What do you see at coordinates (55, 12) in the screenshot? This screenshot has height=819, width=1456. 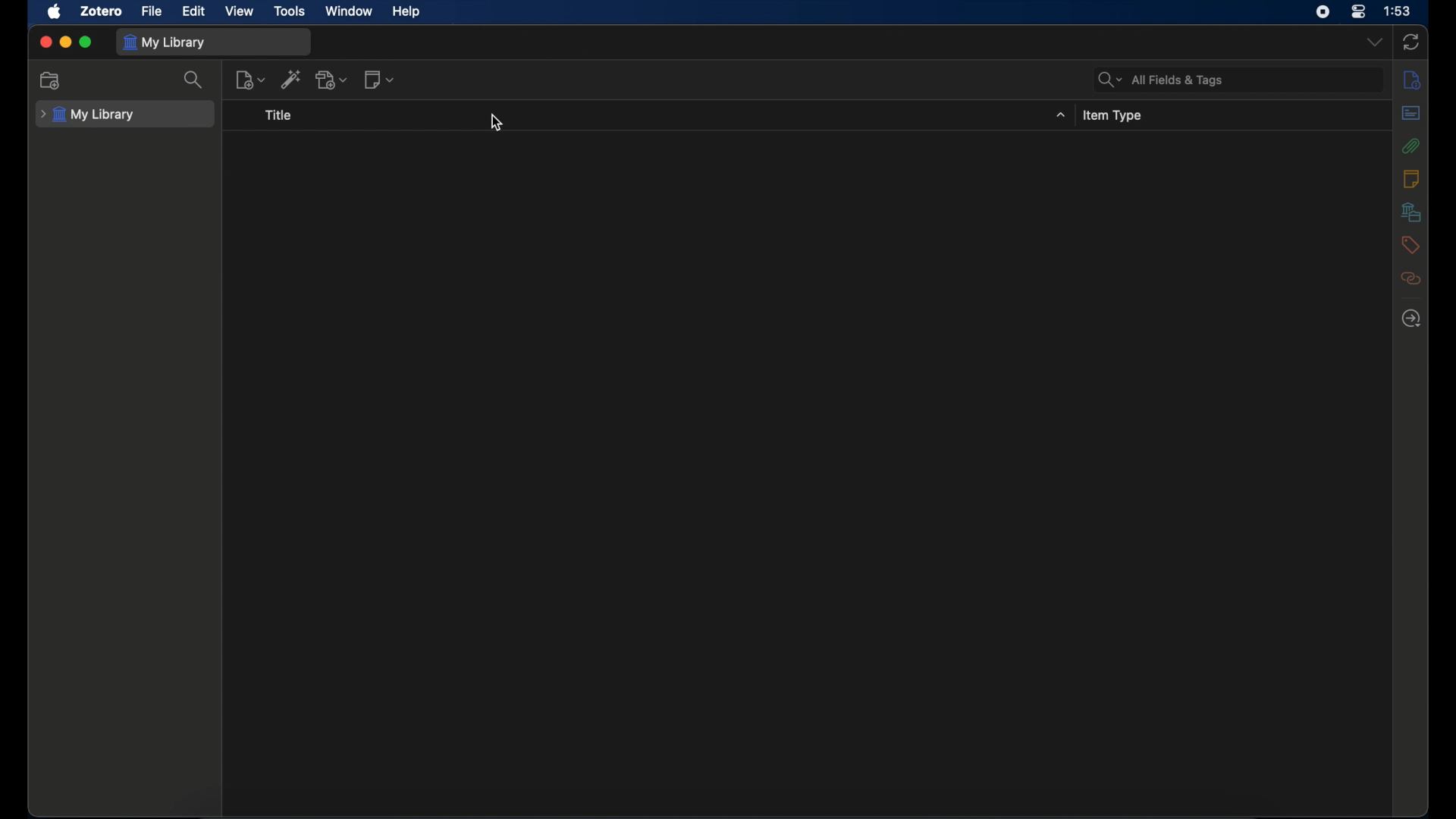 I see `apple icon` at bounding box center [55, 12].